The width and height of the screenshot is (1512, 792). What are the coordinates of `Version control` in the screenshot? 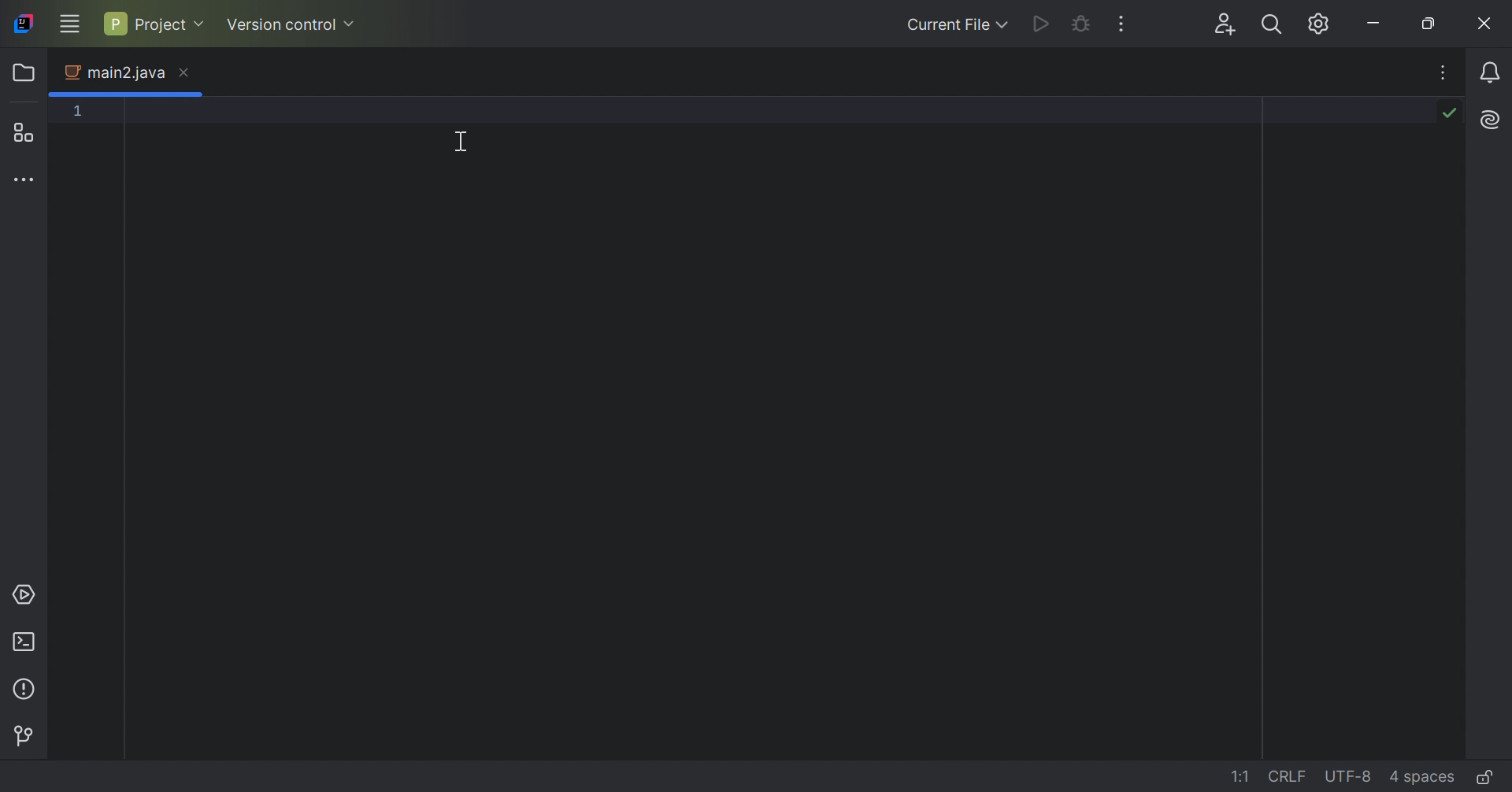 It's located at (27, 738).